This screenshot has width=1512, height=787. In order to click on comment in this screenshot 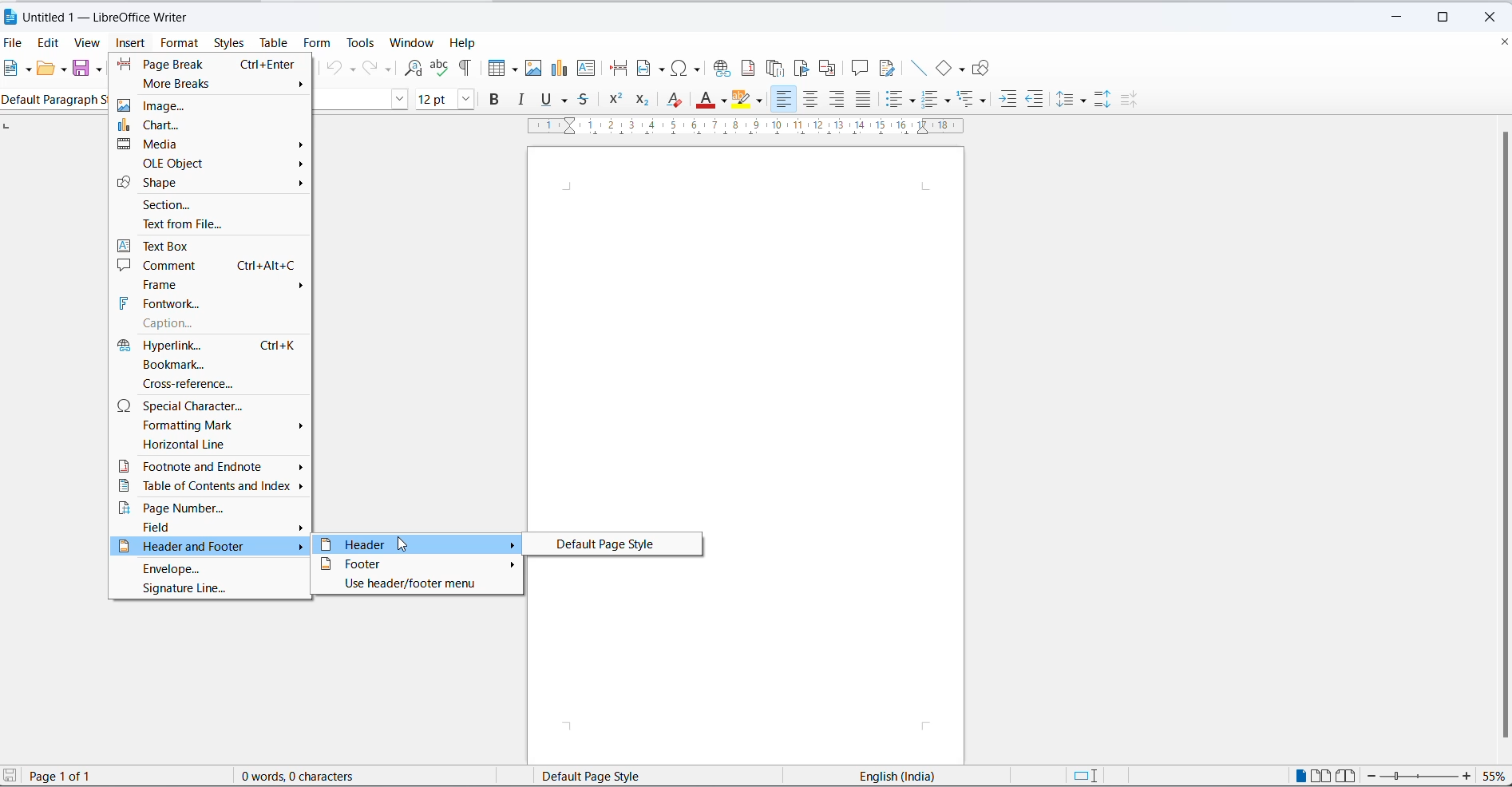, I will do `click(208, 265)`.